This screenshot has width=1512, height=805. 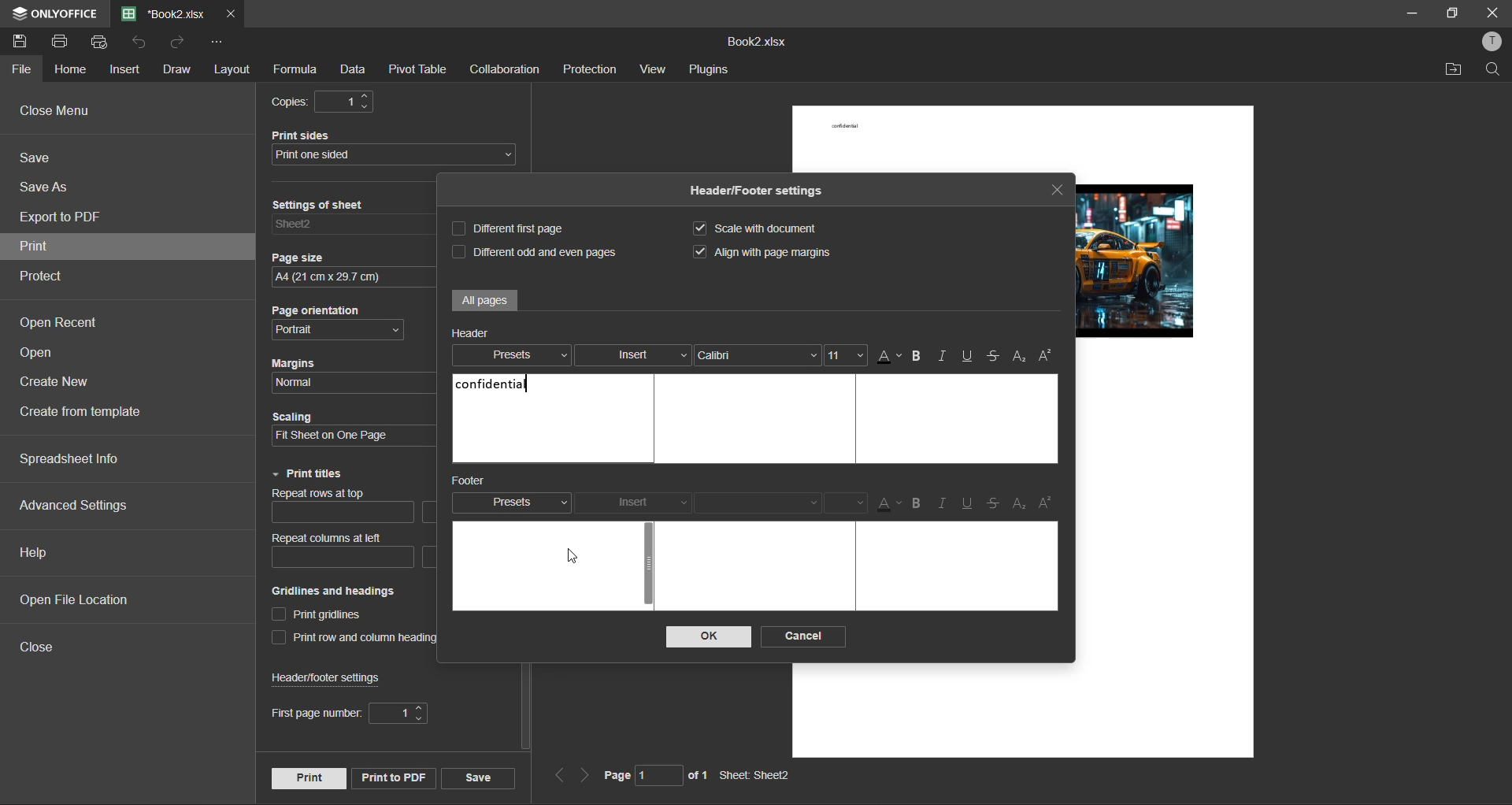 What do you see at coordinates (90, 412) in the screenshot?
I see `create from template` at bounding box center [90, 412].